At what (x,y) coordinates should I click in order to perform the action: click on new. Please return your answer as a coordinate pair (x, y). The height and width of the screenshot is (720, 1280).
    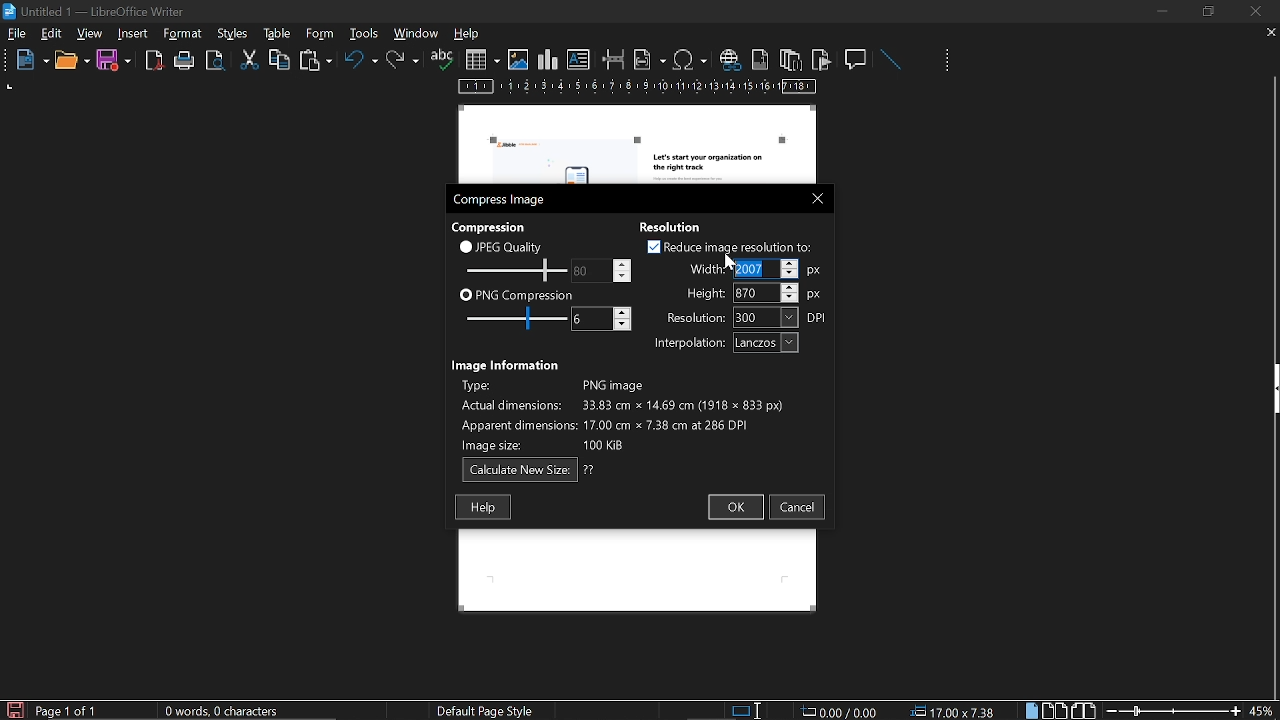
    Looking at the image, I should click on (27, 61).